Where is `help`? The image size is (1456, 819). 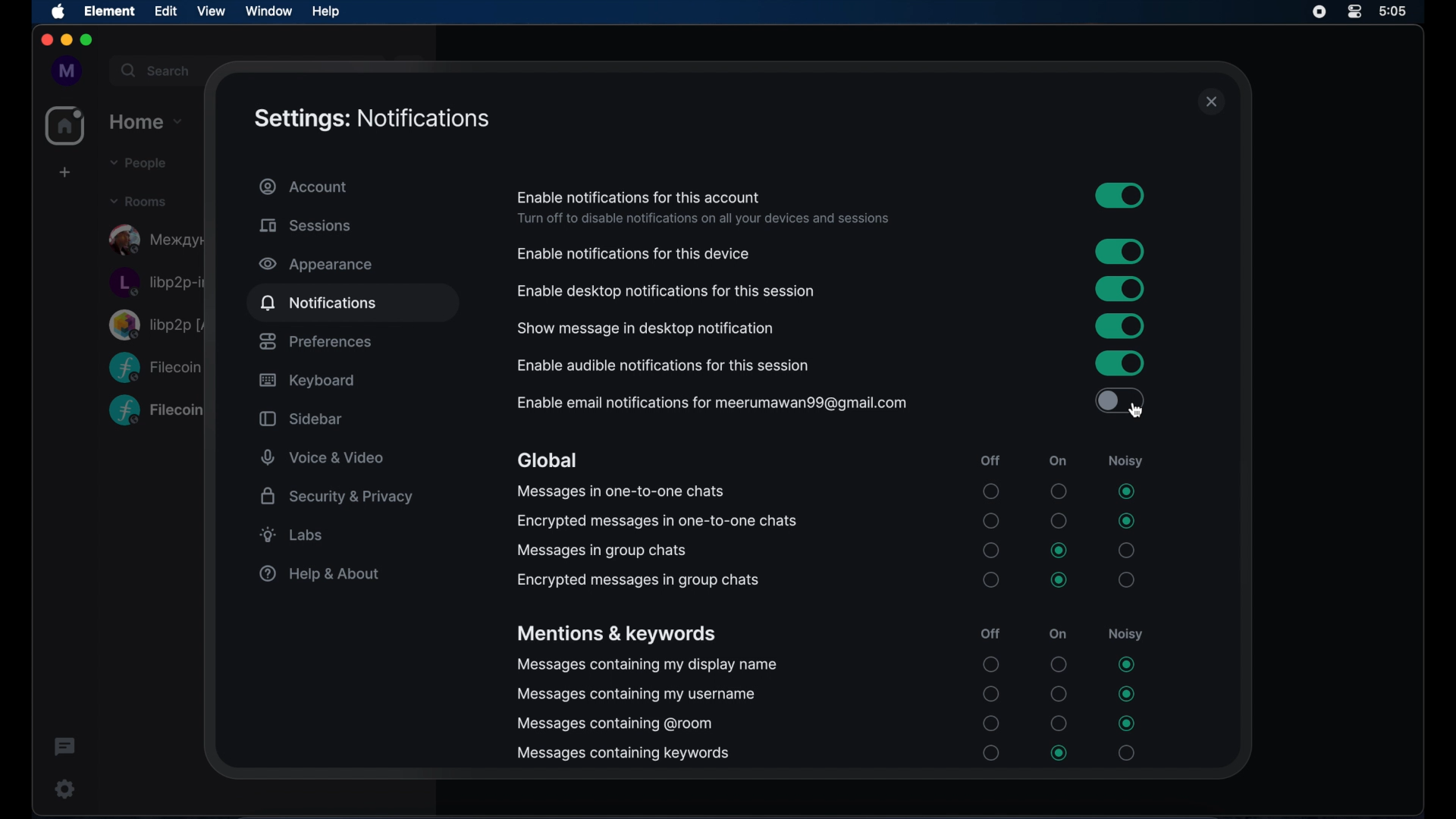
help is located at coordinates (325, 11).